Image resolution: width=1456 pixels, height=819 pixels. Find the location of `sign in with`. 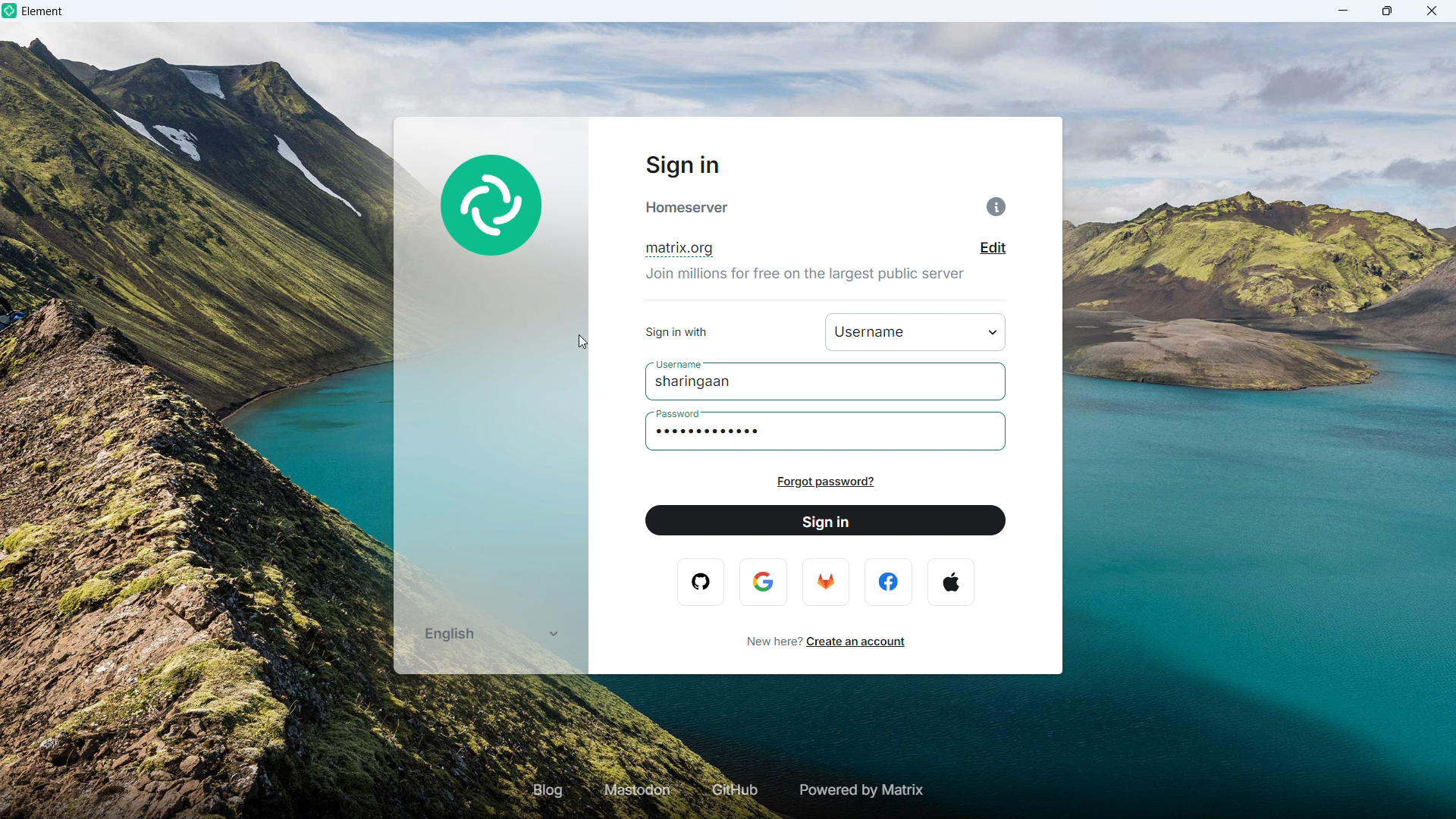

sign in with is located at coordinates (676, 334).